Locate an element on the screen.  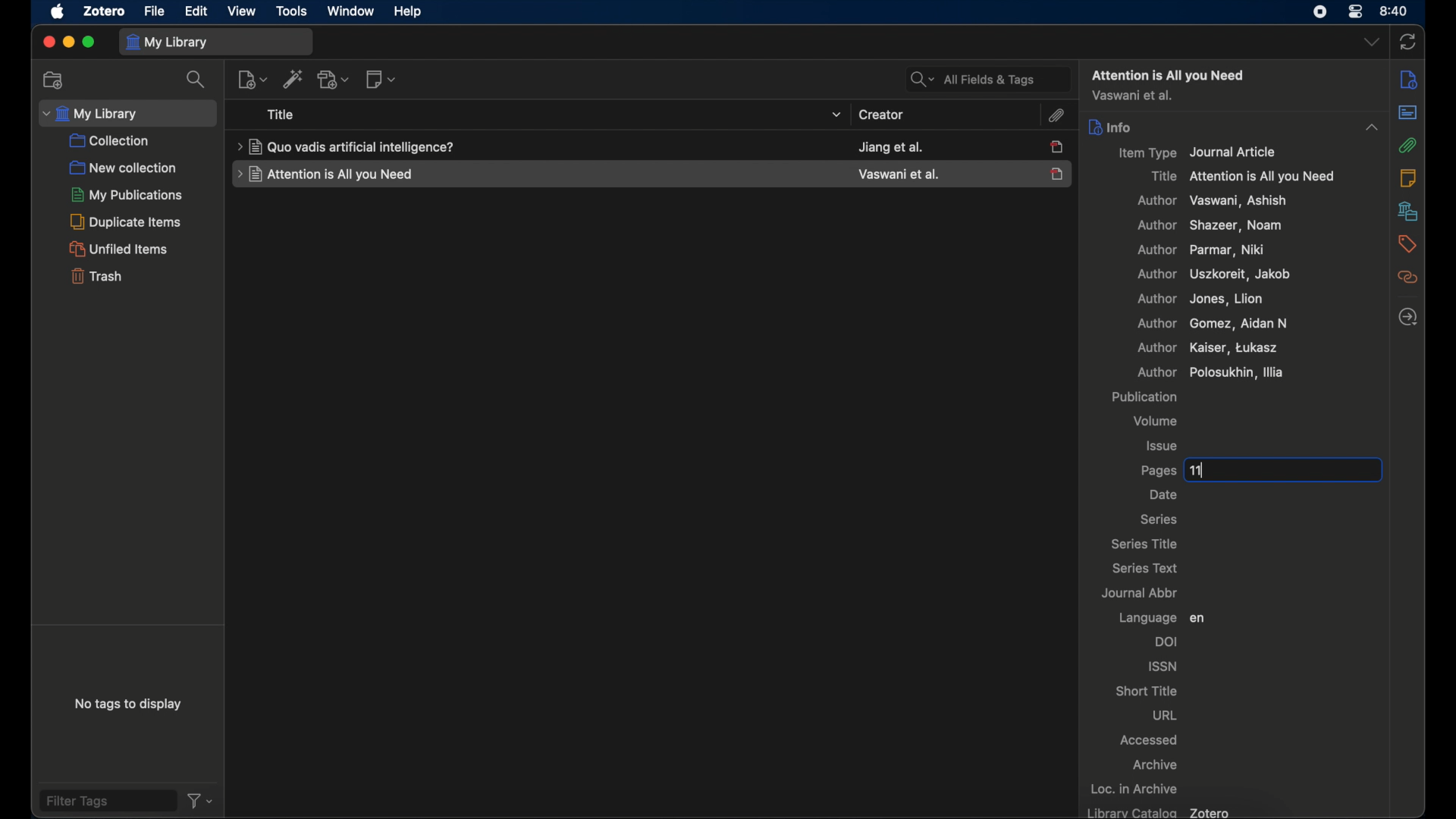
tags is located at coordinates (1407, 243).